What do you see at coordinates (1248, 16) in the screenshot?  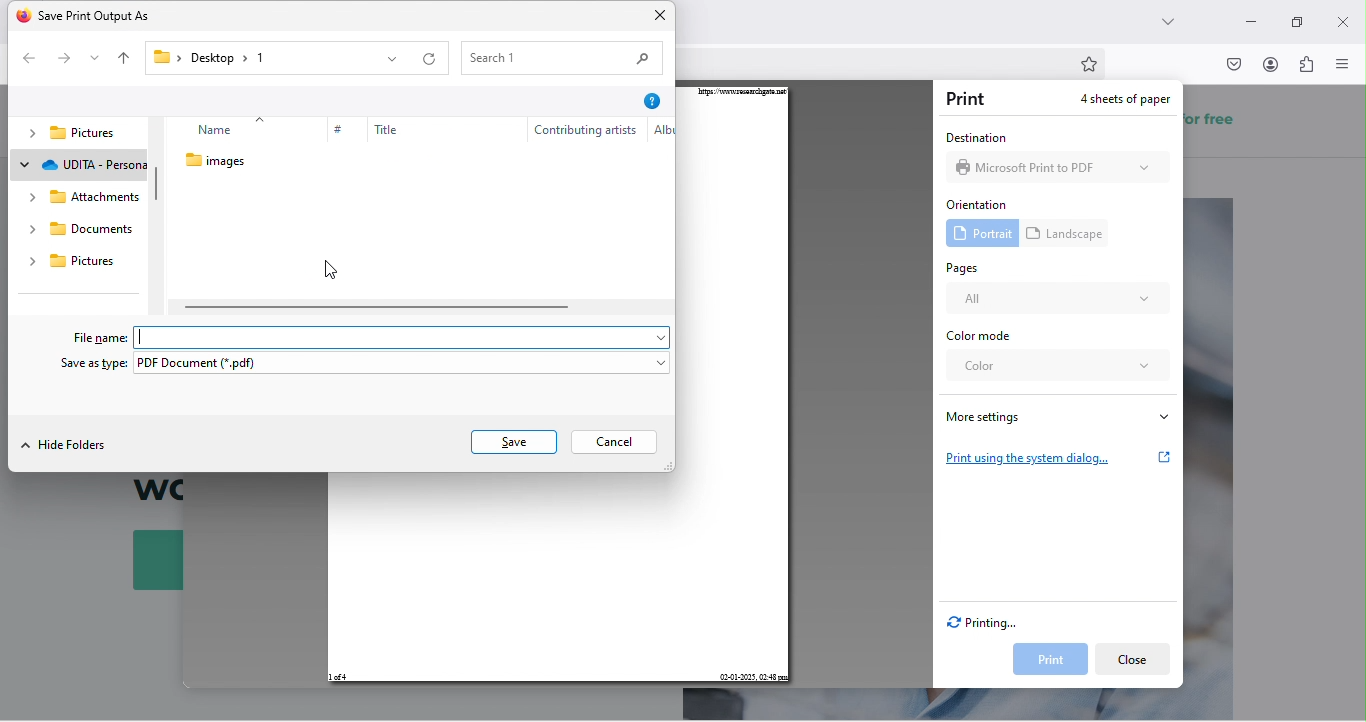 I see `minimize` at bounding box center [1248, 16].